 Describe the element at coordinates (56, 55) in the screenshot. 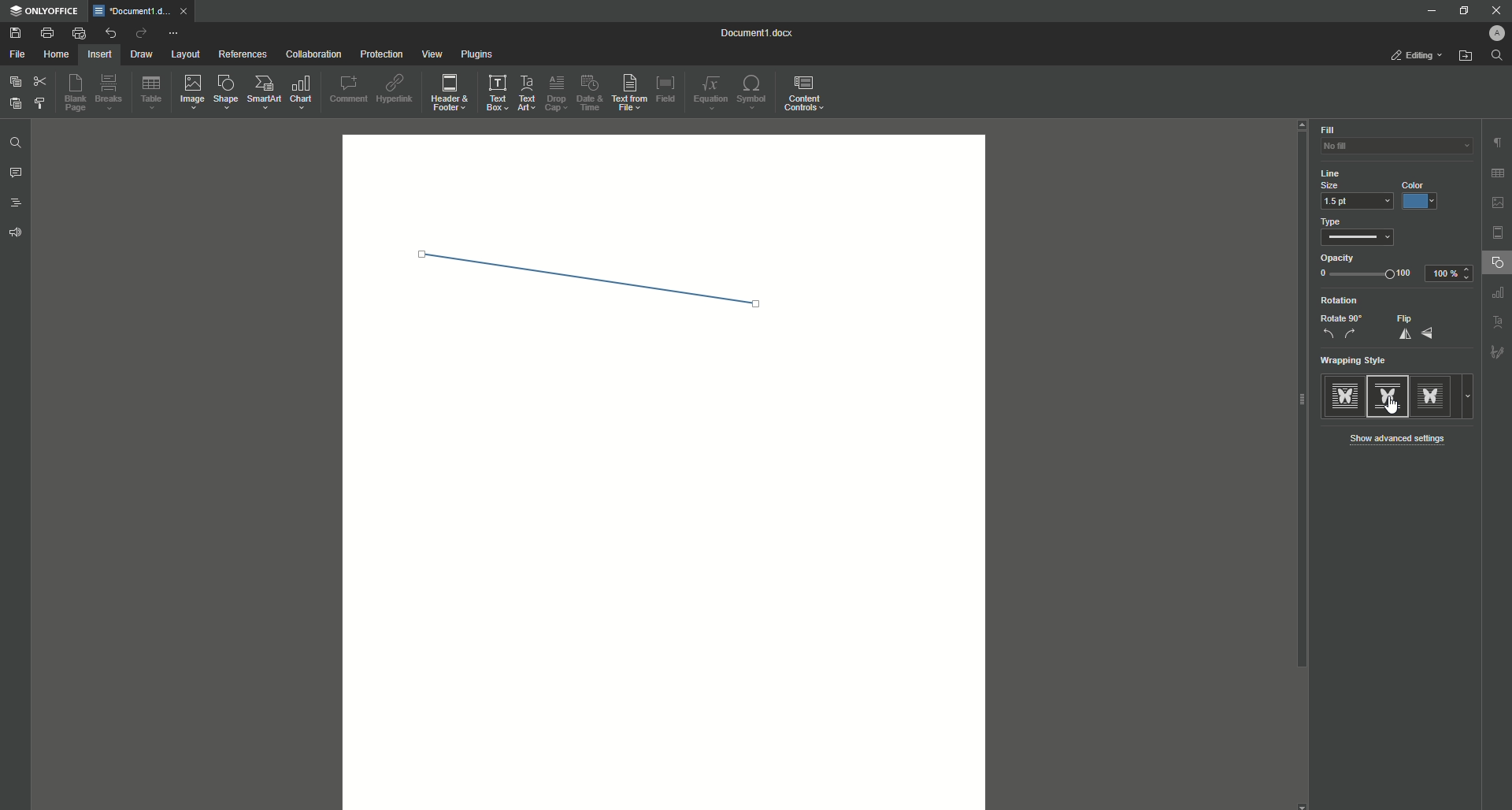

I see `Home` at that location.